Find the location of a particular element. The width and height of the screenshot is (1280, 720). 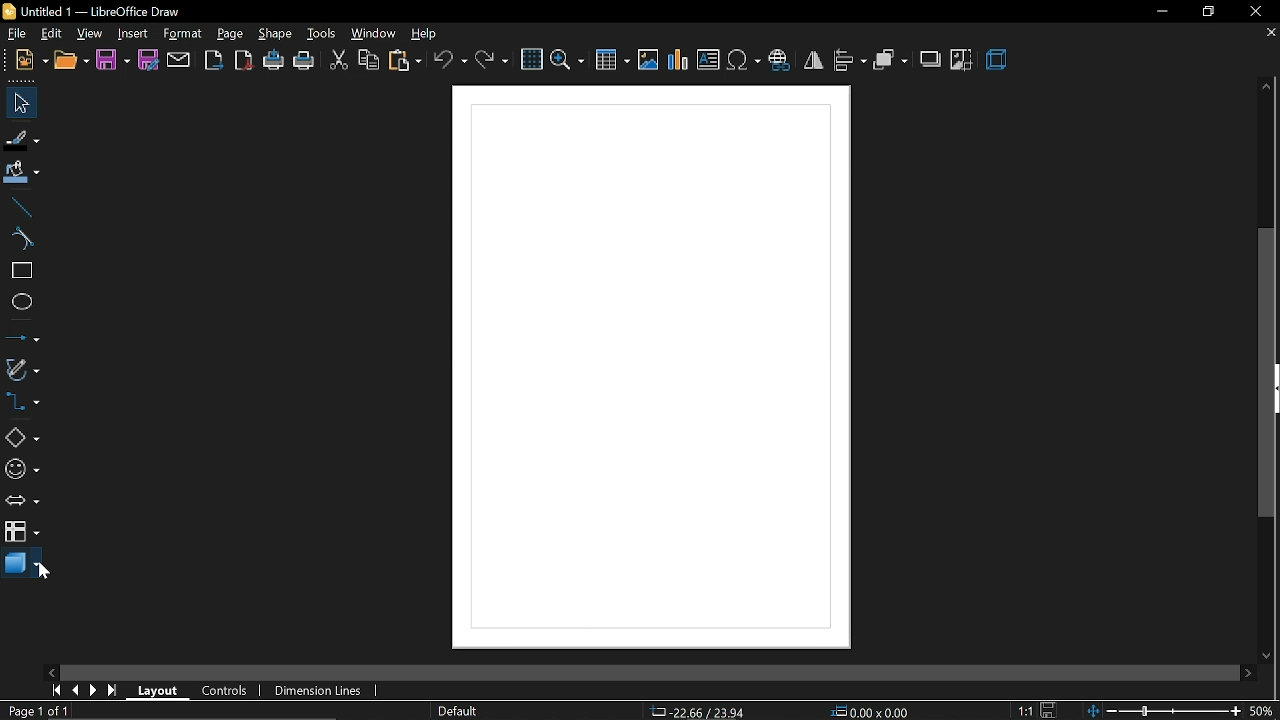

previous page is located at coordinates (77, 690).